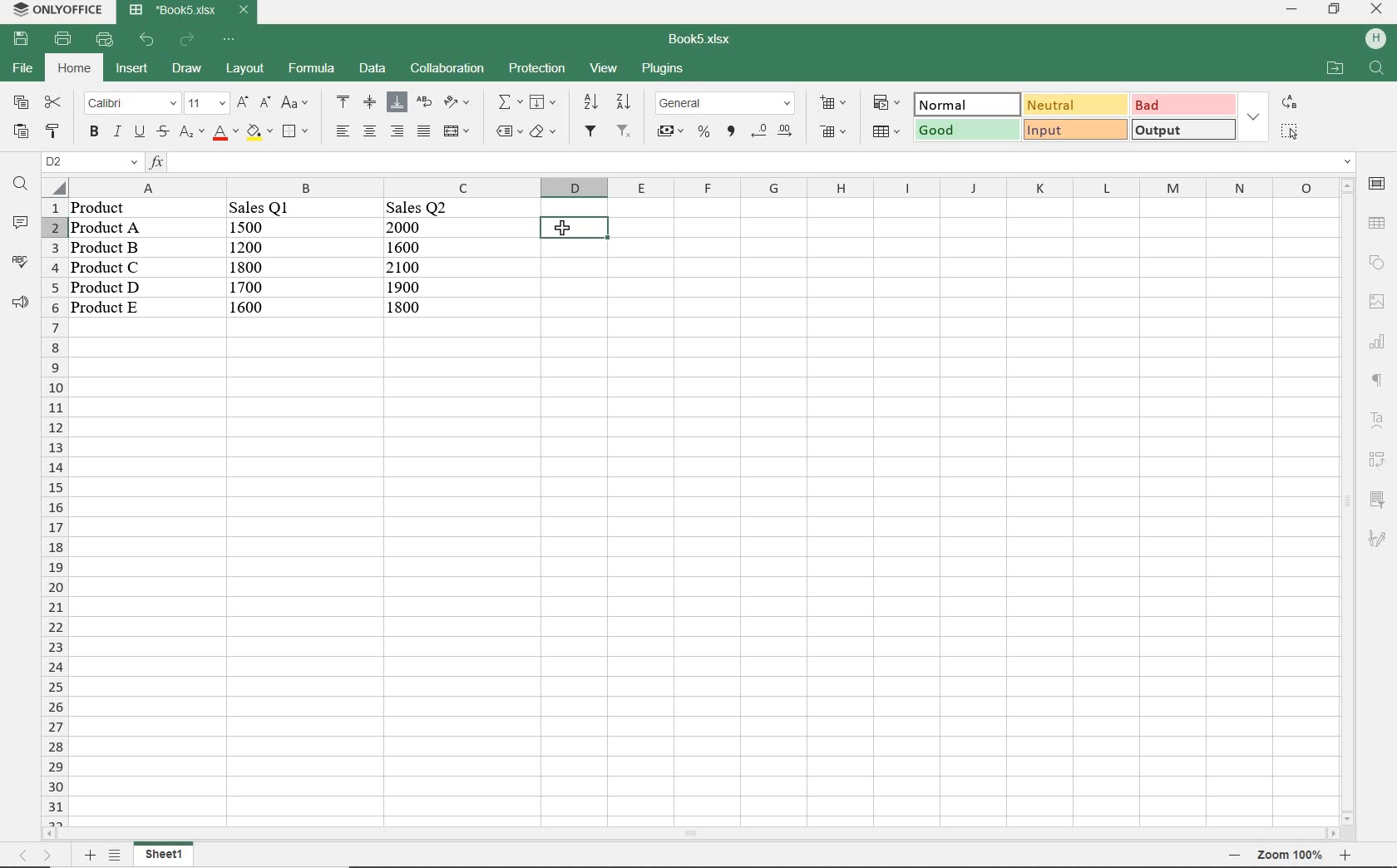 The image size is (1397, 868). Describe the element at coordinates (21, 101) in the screenshot. I see `copy` at that location.